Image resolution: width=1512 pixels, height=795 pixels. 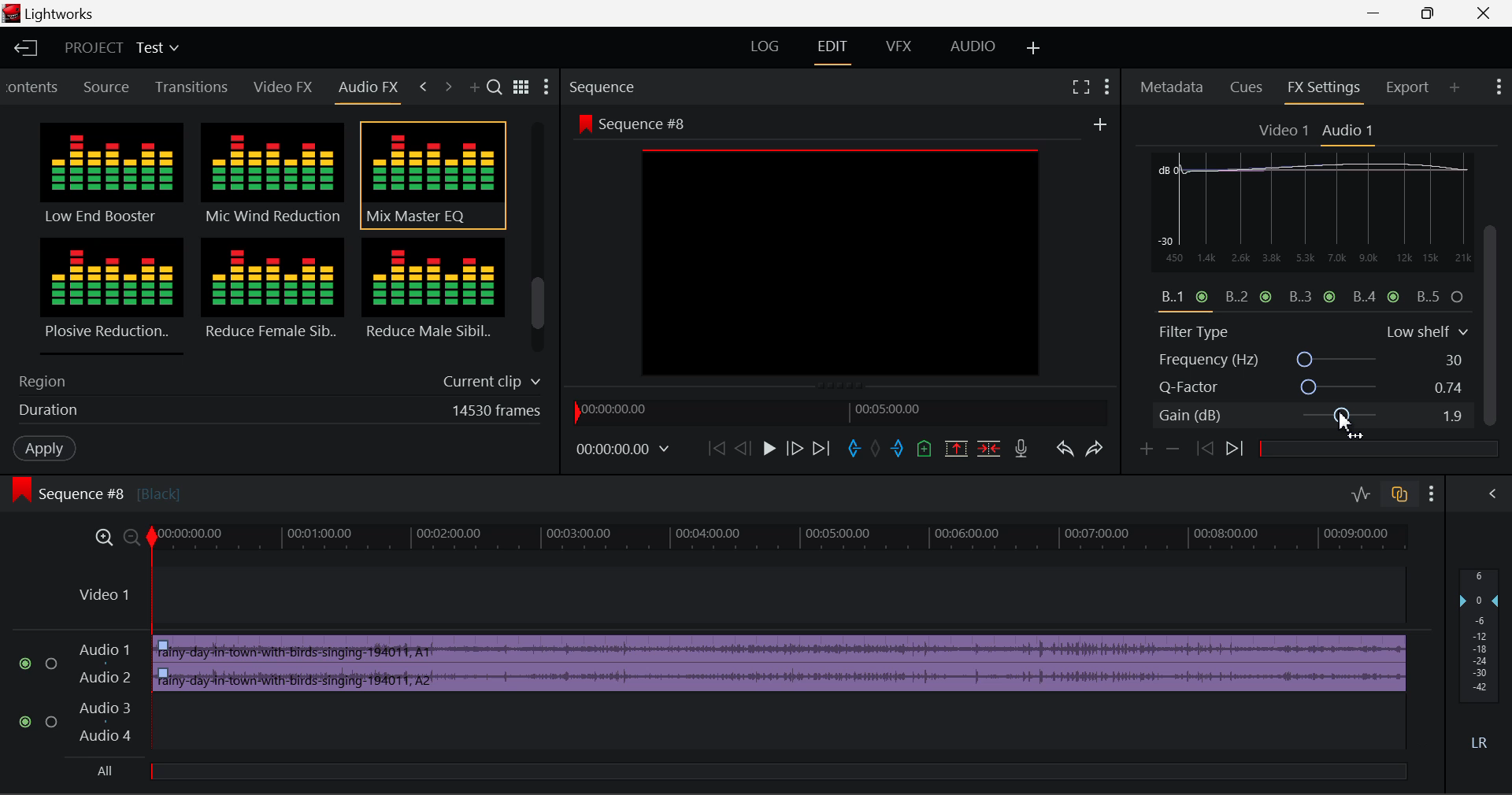 I want to click on Duration, so click(x=275, y=413).